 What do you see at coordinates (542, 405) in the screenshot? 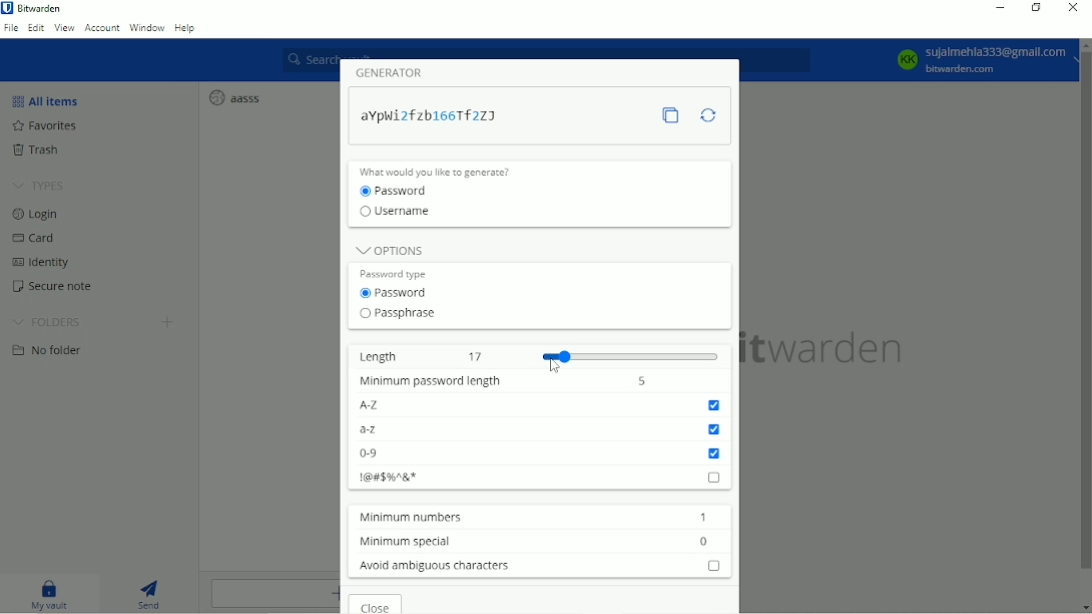
I see `A-Z` at bounding box center [542, 405].